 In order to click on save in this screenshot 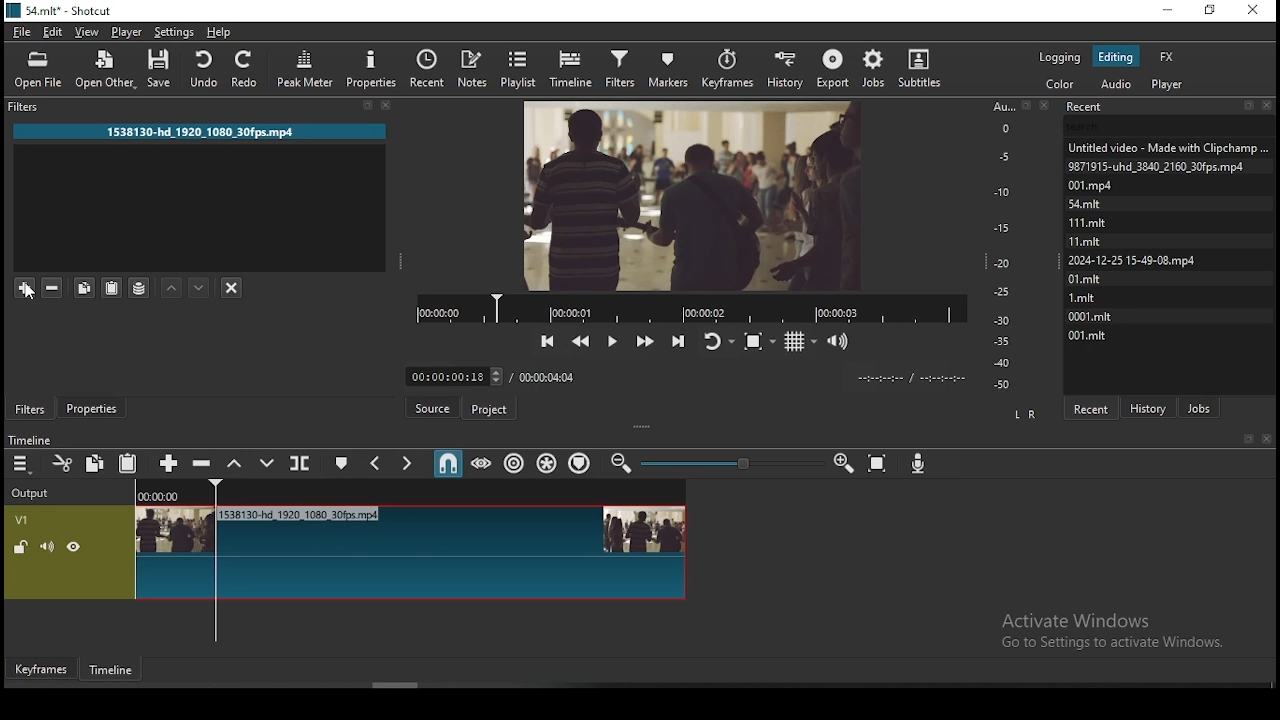, I will do `click(163, 69)`.